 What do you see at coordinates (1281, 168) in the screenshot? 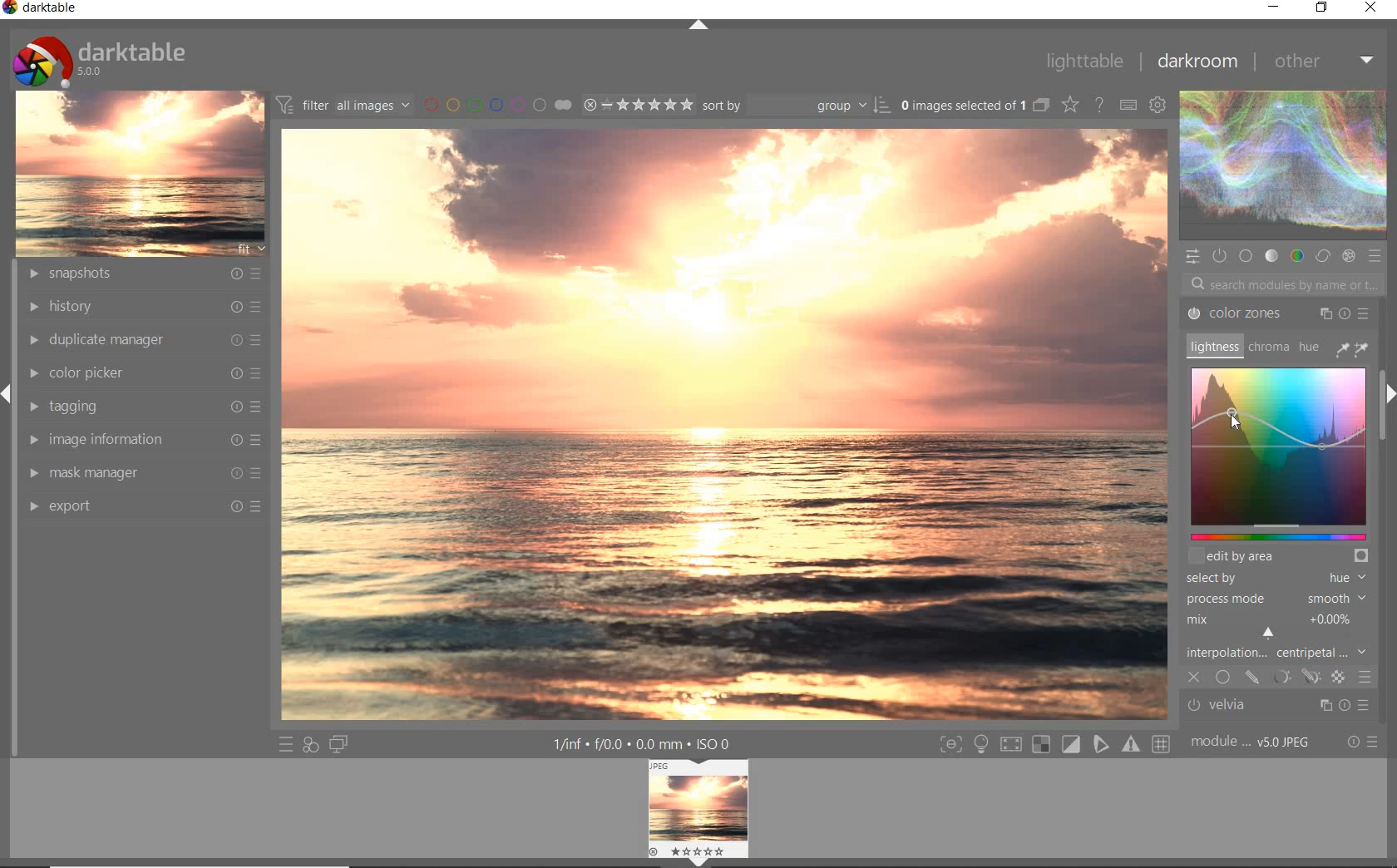
I see `WAVE FORM` at bounding box center [1281, 168].